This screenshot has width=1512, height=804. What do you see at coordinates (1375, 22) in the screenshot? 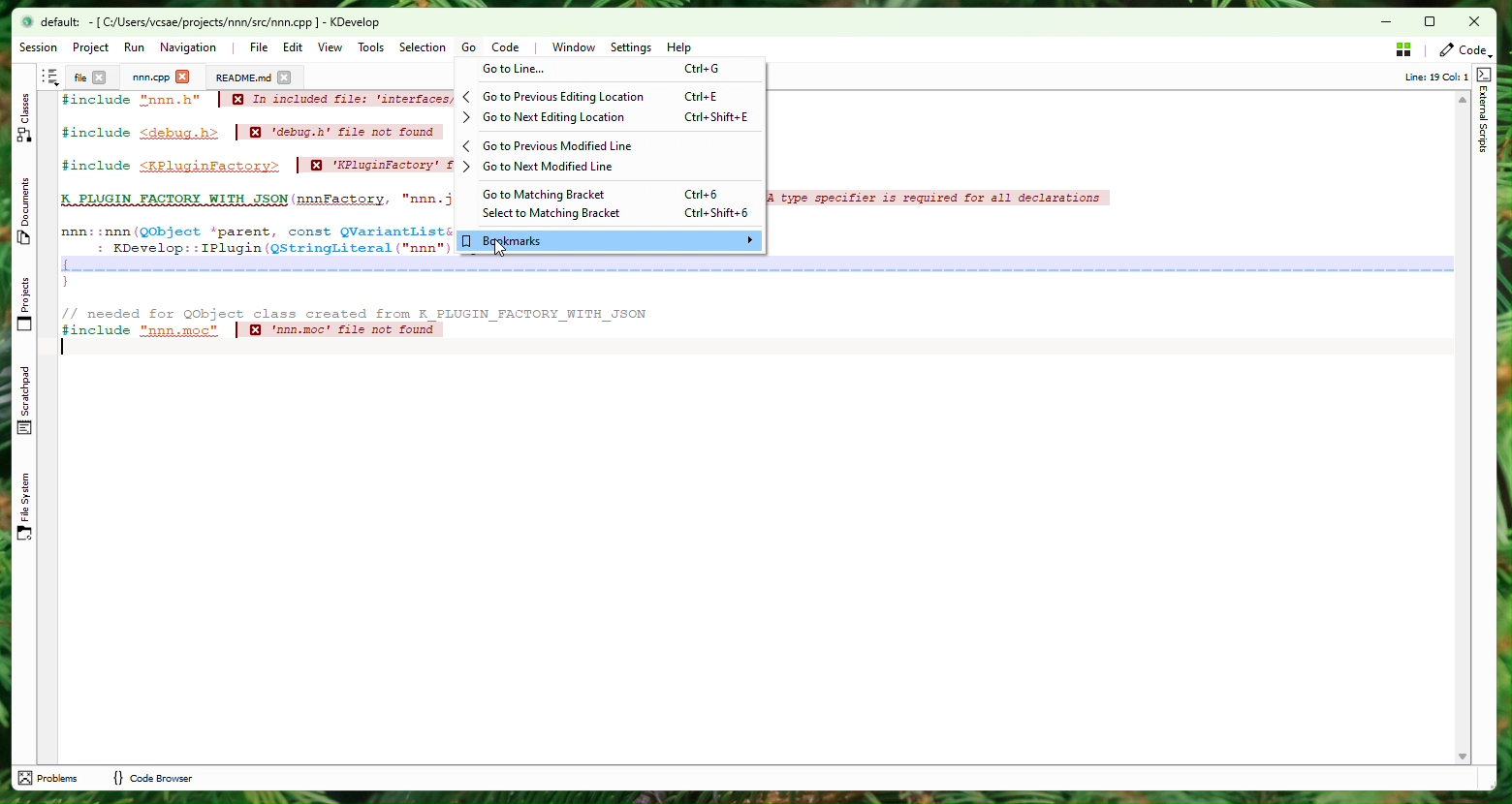
I see `minimize` at bounding box center [1375, 22].